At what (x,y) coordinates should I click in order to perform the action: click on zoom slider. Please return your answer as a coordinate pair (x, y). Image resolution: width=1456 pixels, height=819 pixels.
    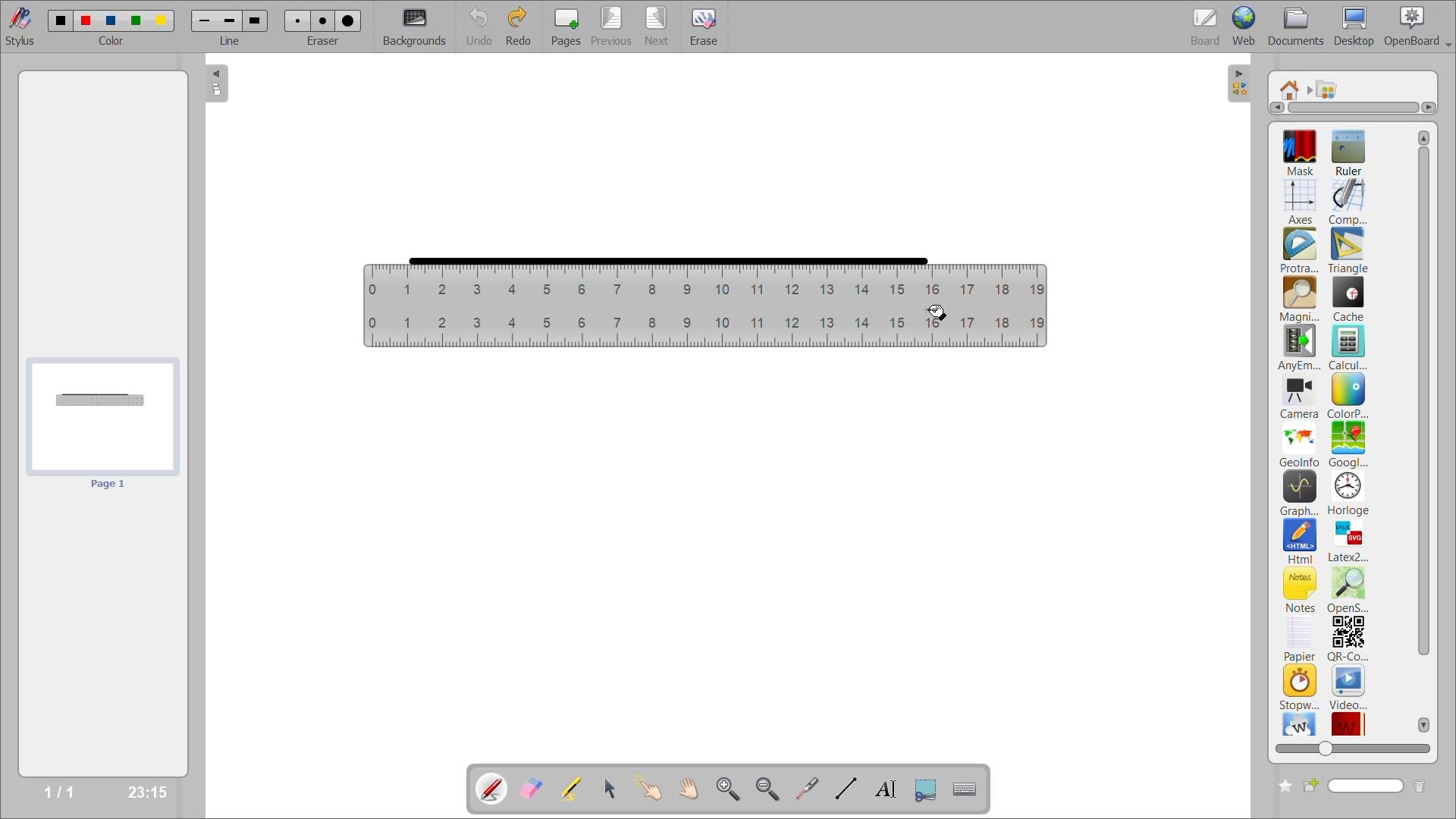
    Looking at the image, I should click on (1350, 746).